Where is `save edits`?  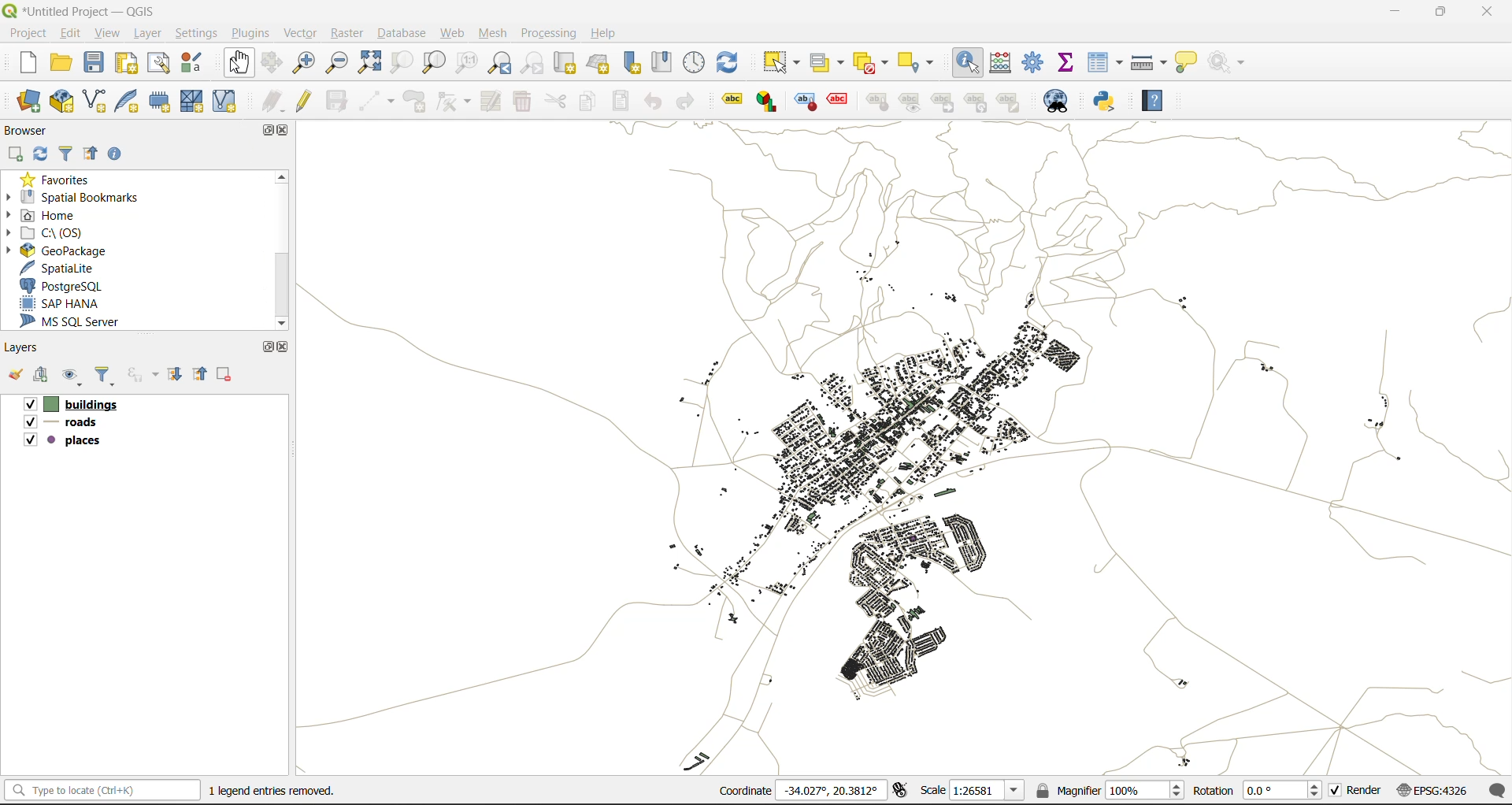 save edits is located at coordinates (336, 101).